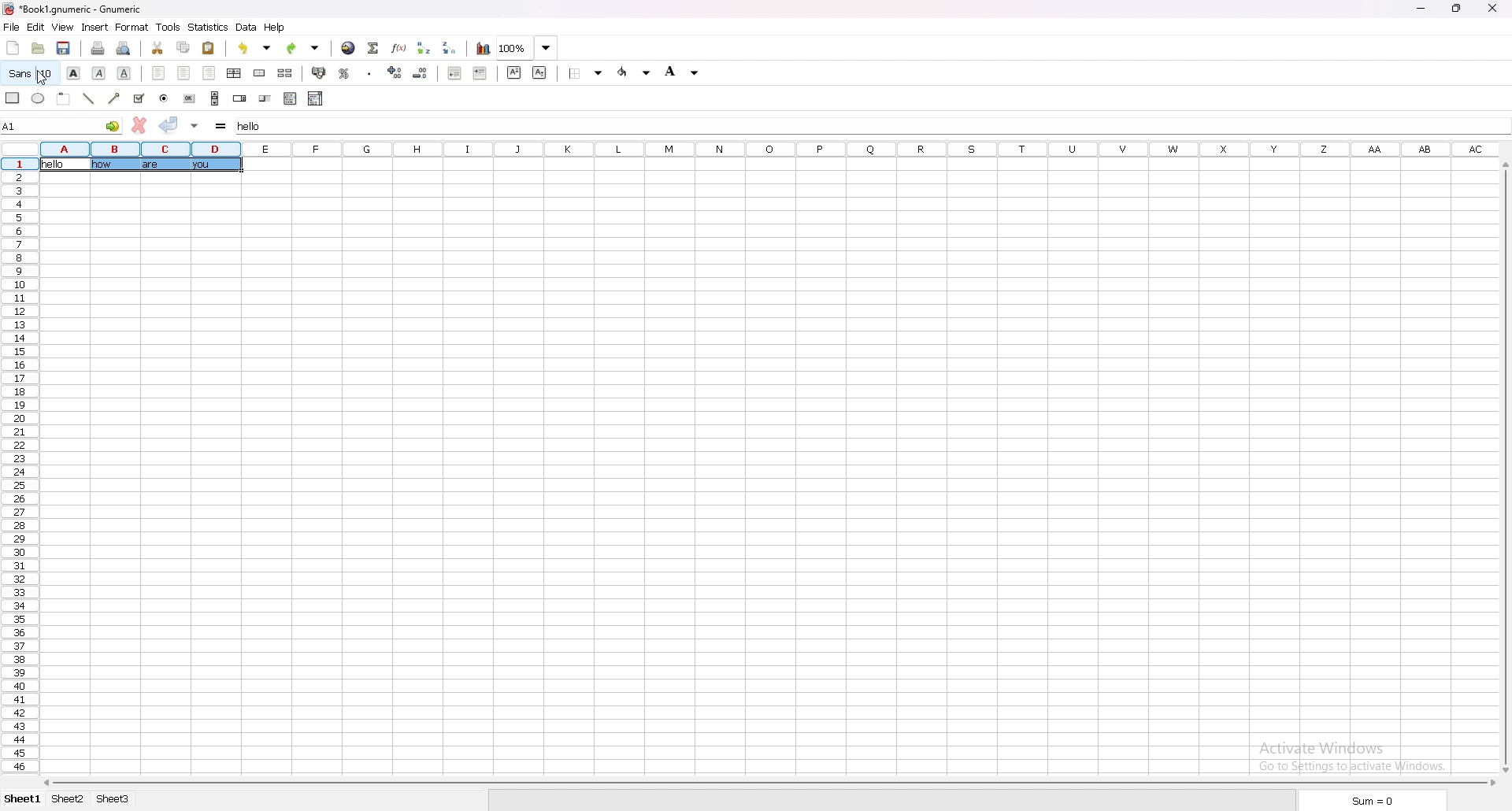 The height and width of the screenshot is (811, 1512). What do you see at coordinates (113, 98) in the screenshot?
I see `arrowed line` at bounding box center [113, 98].